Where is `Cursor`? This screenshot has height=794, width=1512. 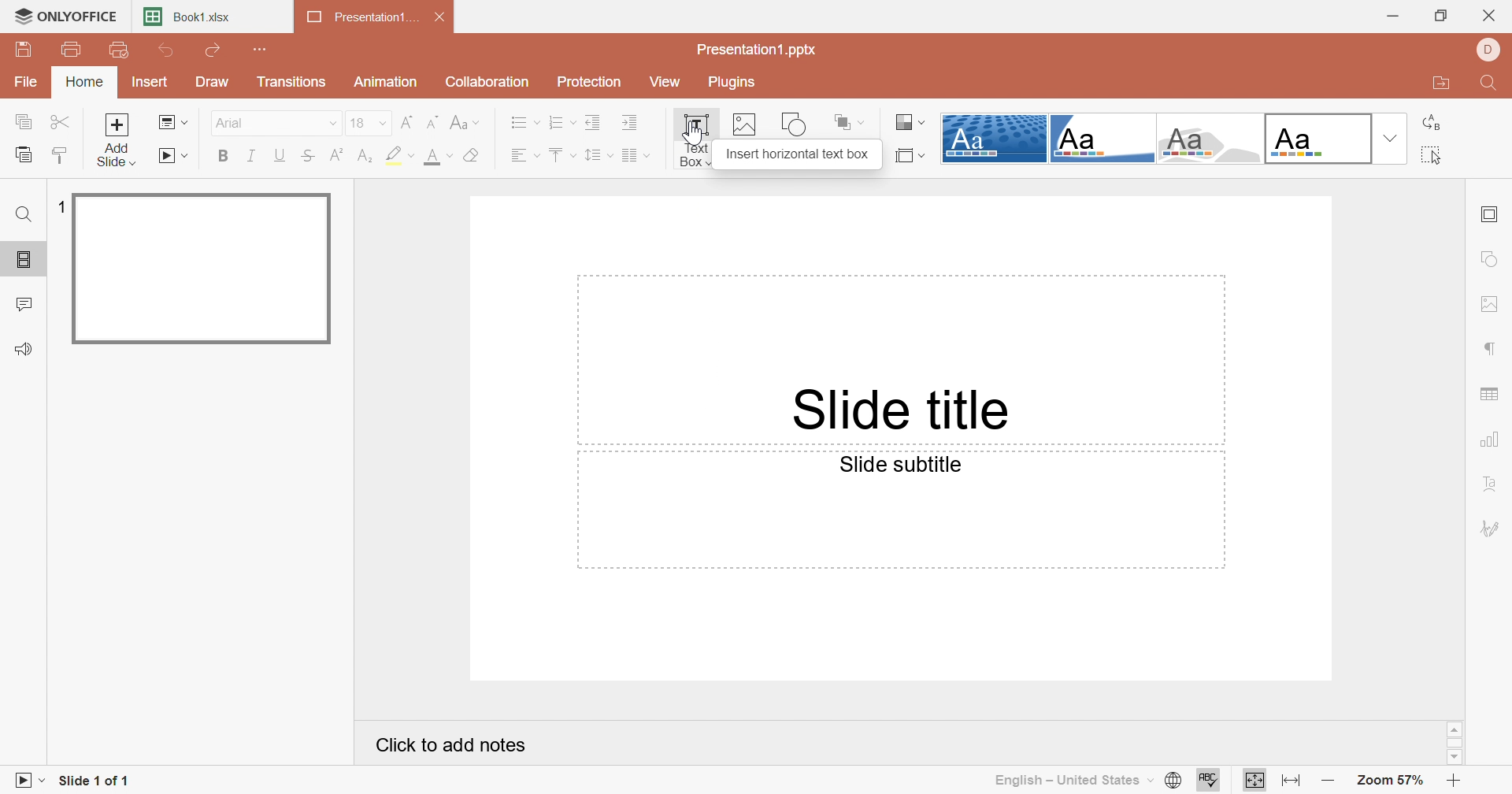 Cursor is located at coordinates (691, 138).